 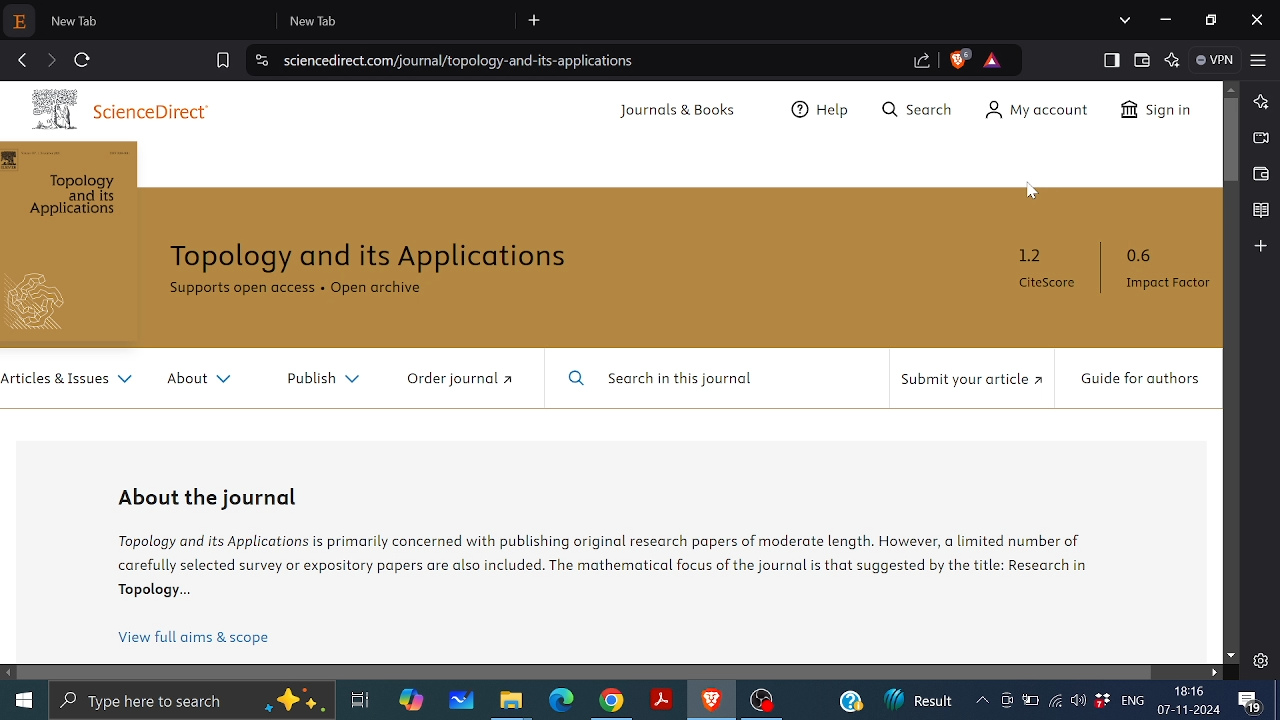 I want to click on Leo AI, so click(x=1171, y=59).